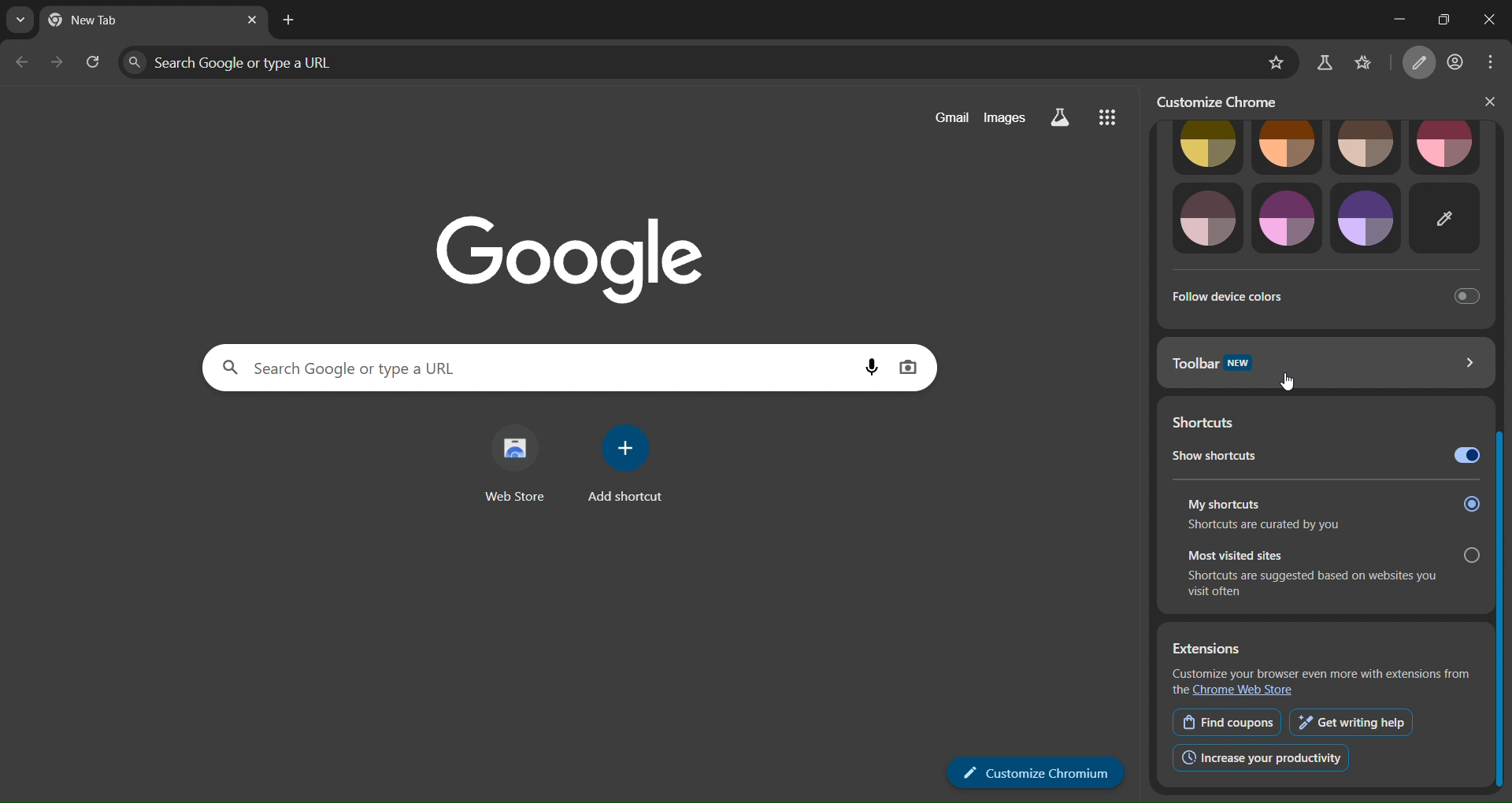 Image resolution: width=1512 pixels, height=803 pixels. What do you see at coordinates (1351, 723) in the screenshot?
I see `get writing help` at bounding box center [1351, 723].